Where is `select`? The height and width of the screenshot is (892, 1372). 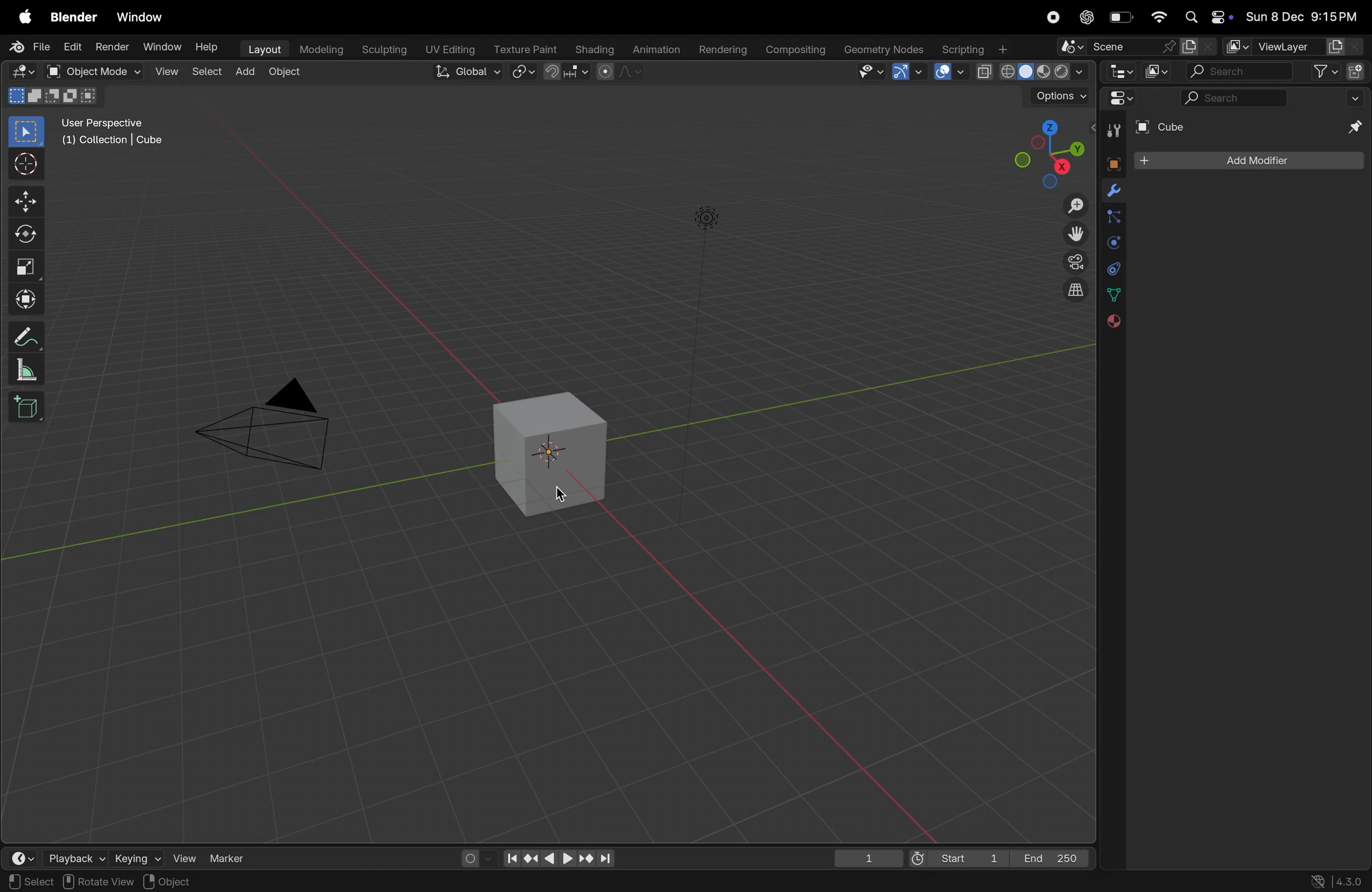 select is located at coordinates (31, 882).